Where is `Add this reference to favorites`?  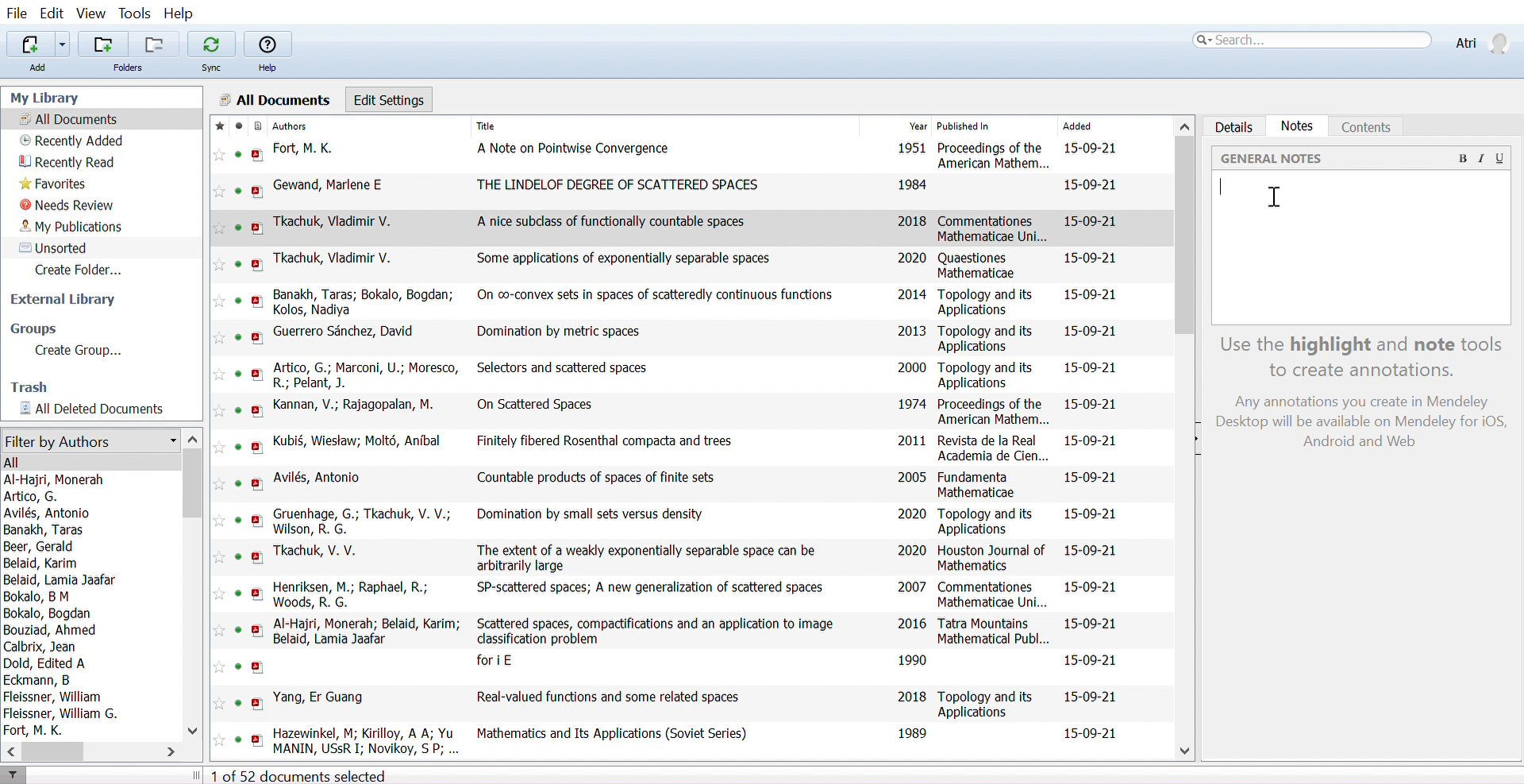
Add this reference to favorites is located at coordinates (220, 263).